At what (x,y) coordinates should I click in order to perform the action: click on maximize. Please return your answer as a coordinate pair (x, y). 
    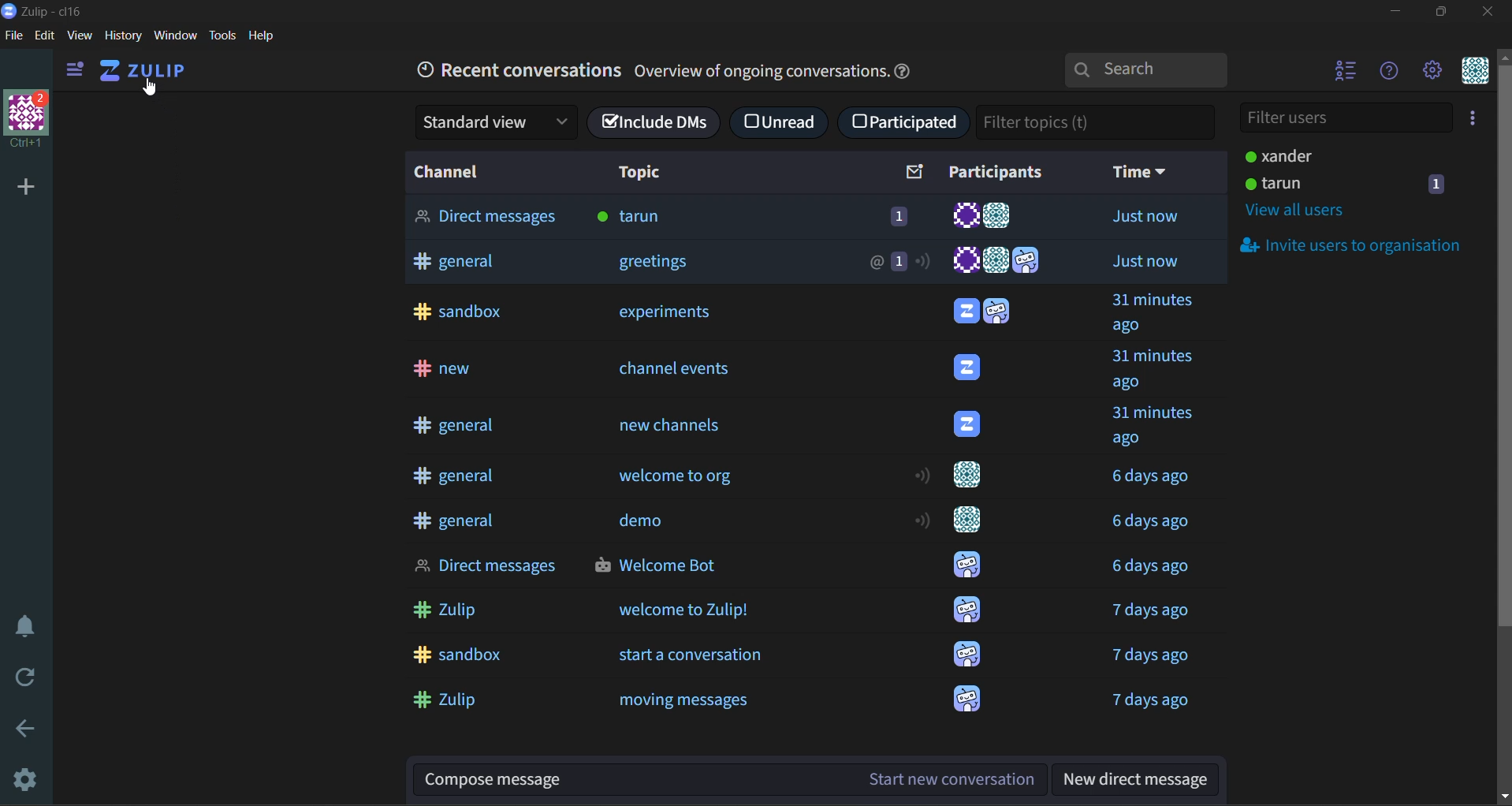
    Looking at the image, I should click on (1441, 13).